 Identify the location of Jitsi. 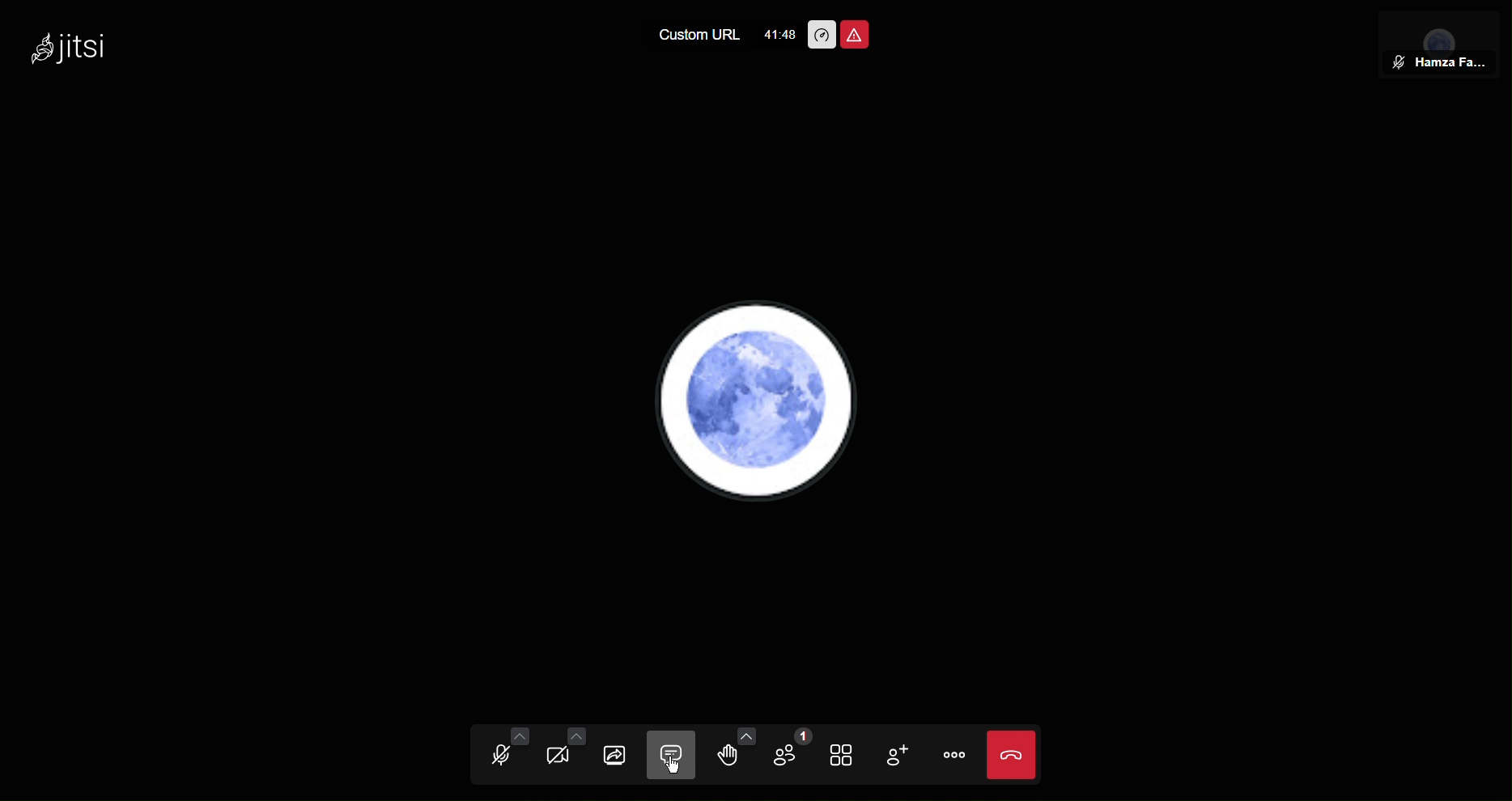
(72, 49).